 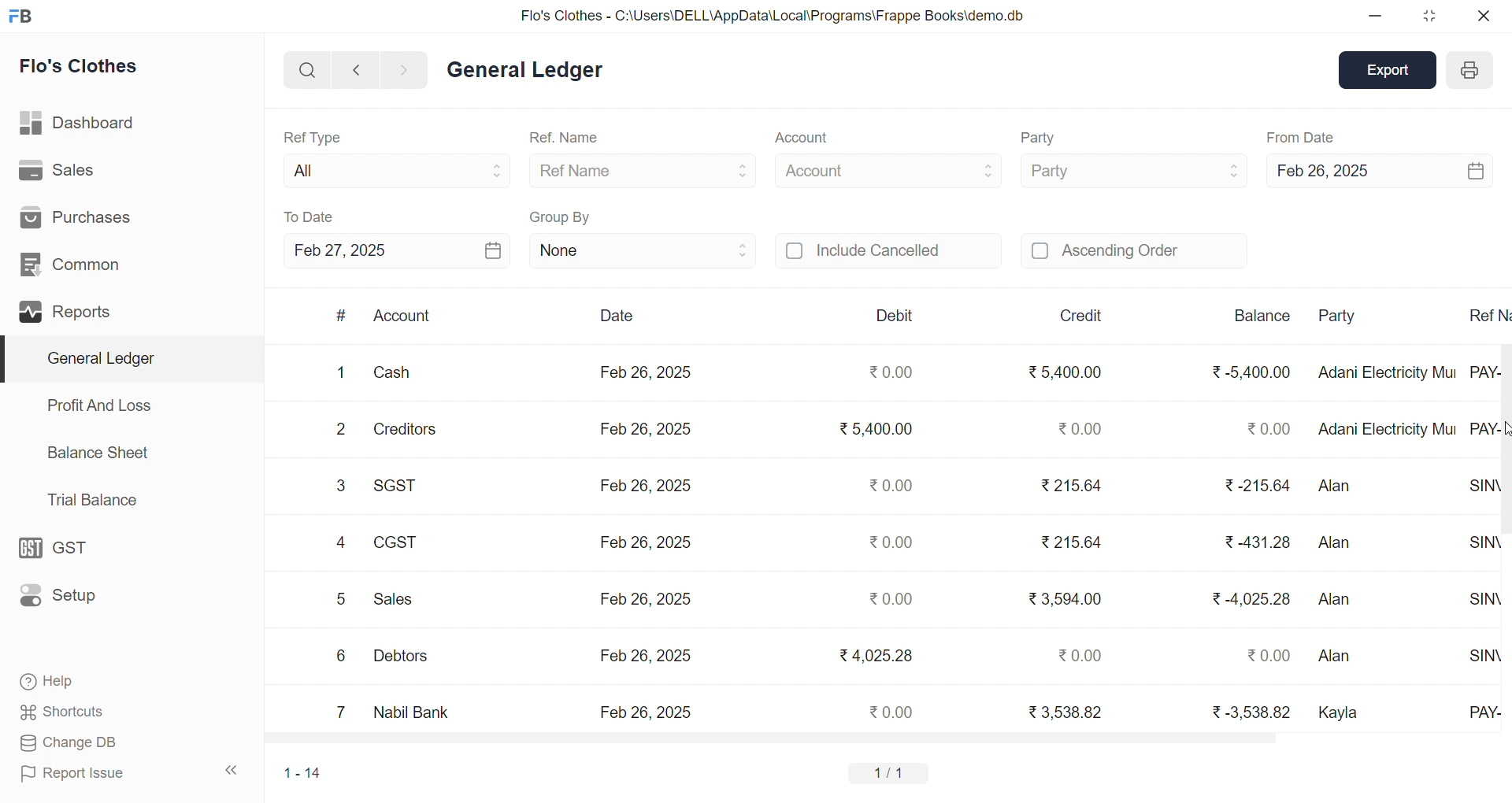 I want to click on SINV-, so click(x=1476, y=542).